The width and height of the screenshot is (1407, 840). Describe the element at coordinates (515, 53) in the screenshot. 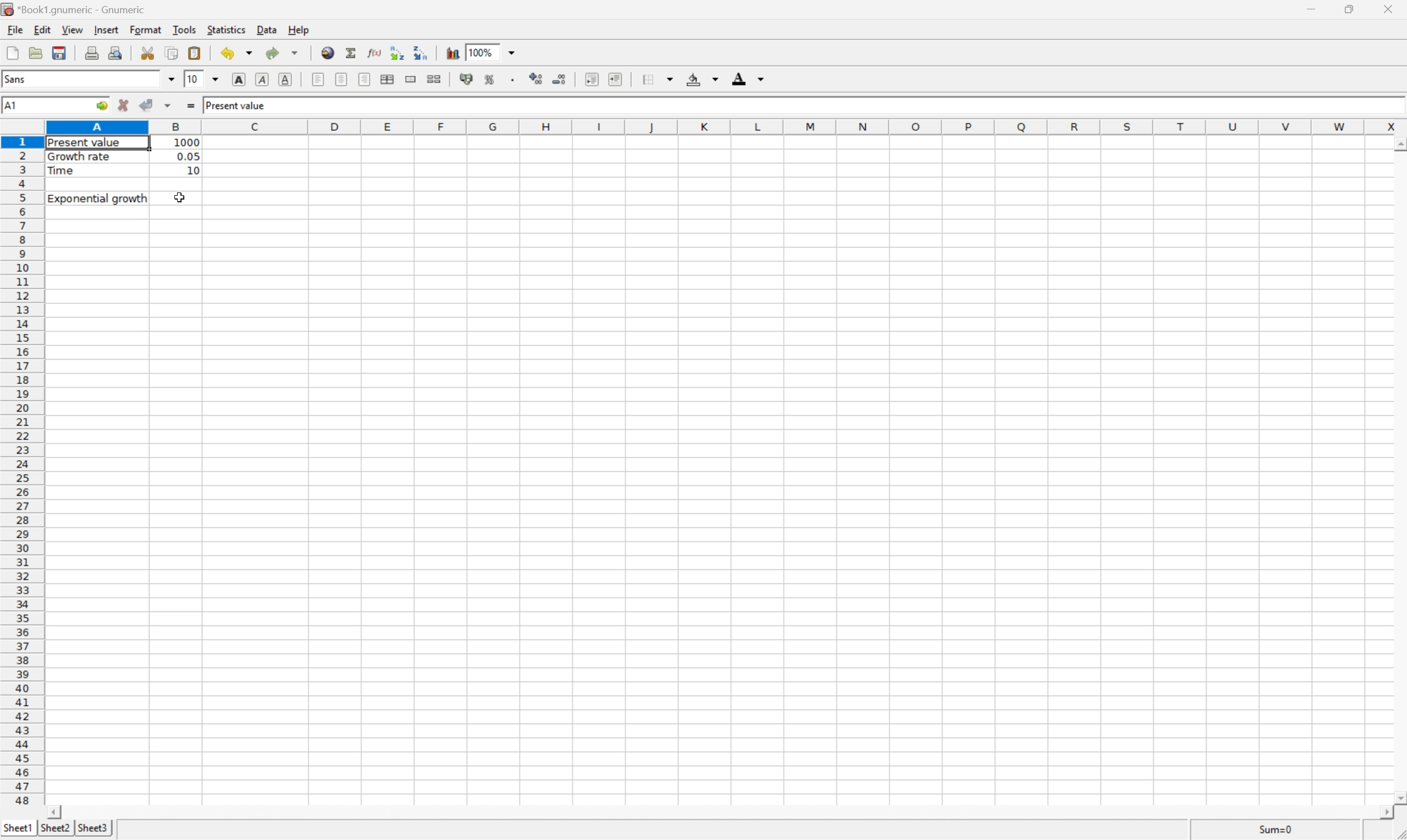

I see `Drop Down` at that location.